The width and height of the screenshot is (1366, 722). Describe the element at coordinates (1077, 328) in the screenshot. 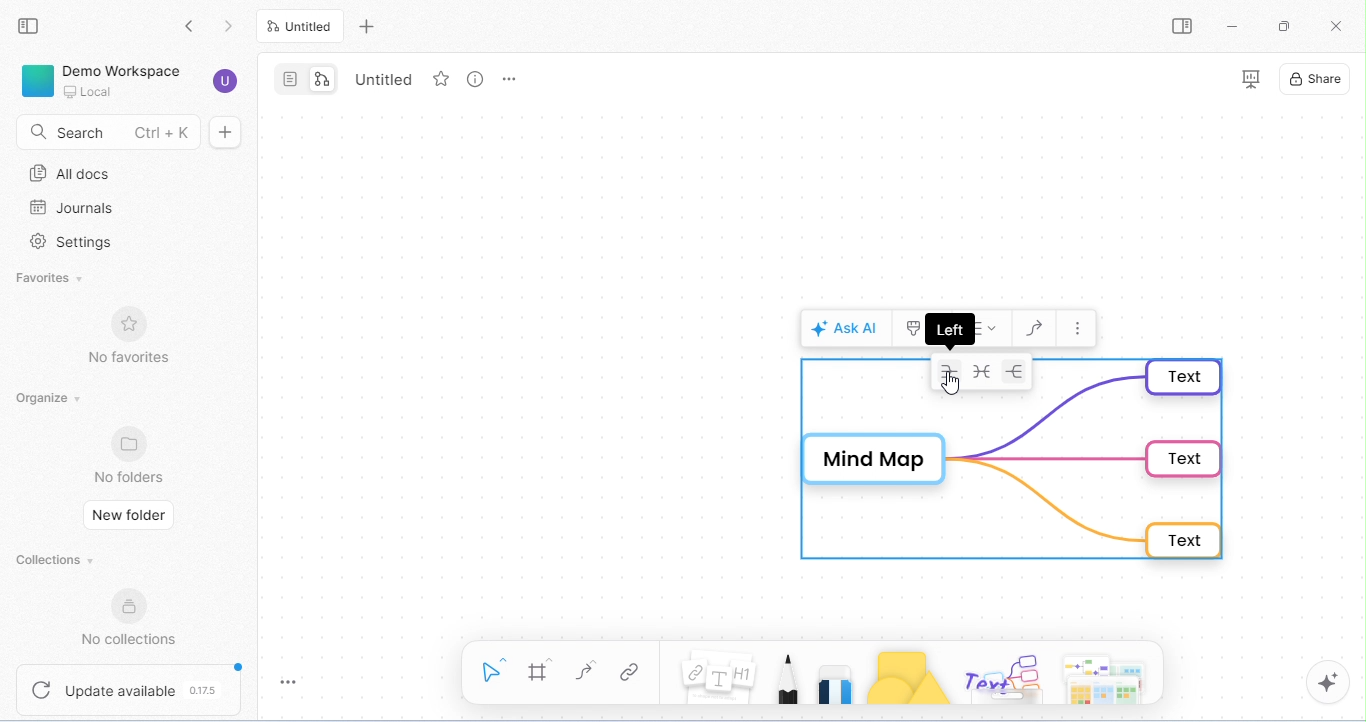

I see `more` at that location.